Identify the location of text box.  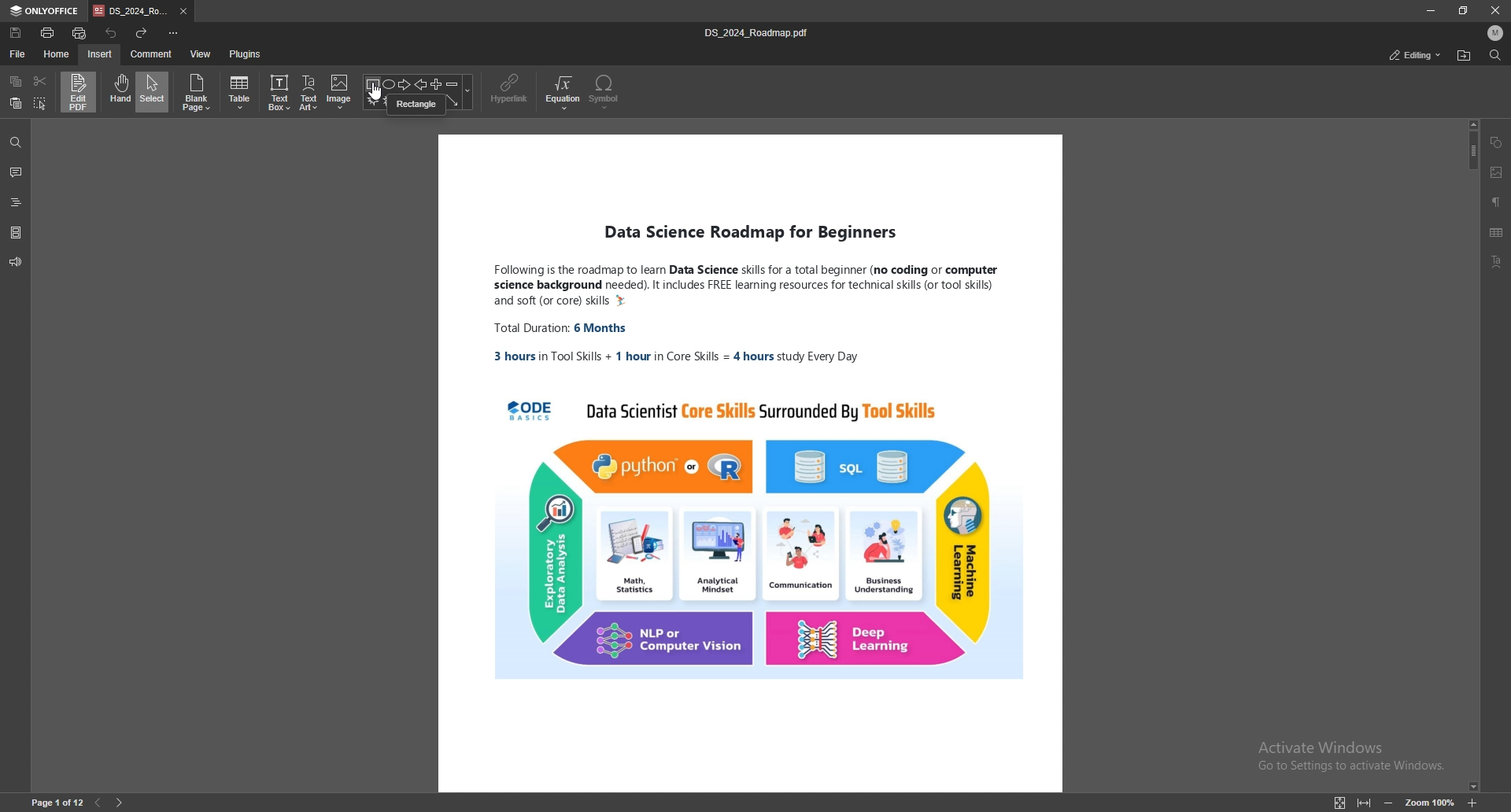
(280, 92).